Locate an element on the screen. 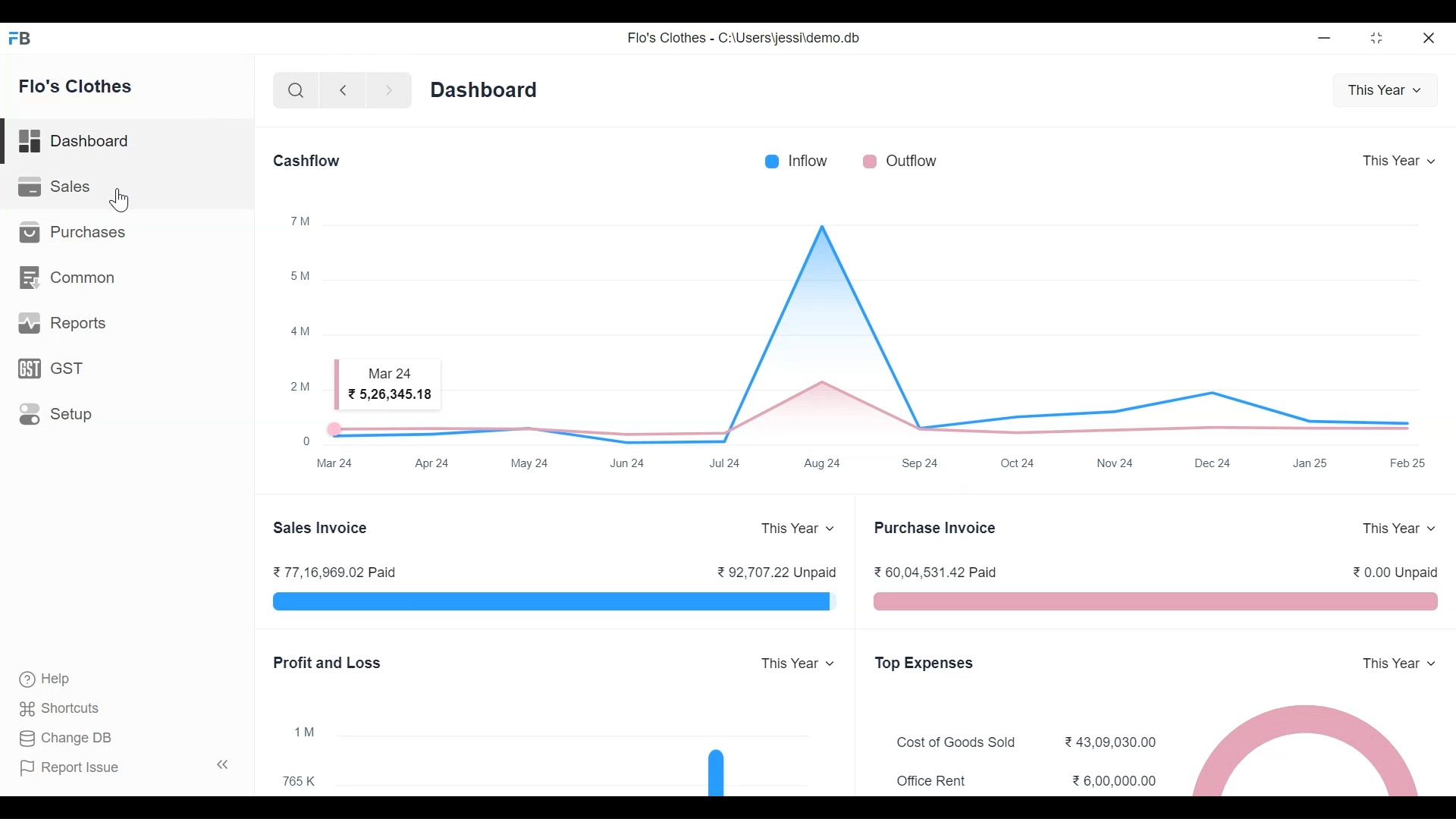 Image resolution: width=1456 pixels, height=819 pixels. Setup is located at coordinates (56, 413).